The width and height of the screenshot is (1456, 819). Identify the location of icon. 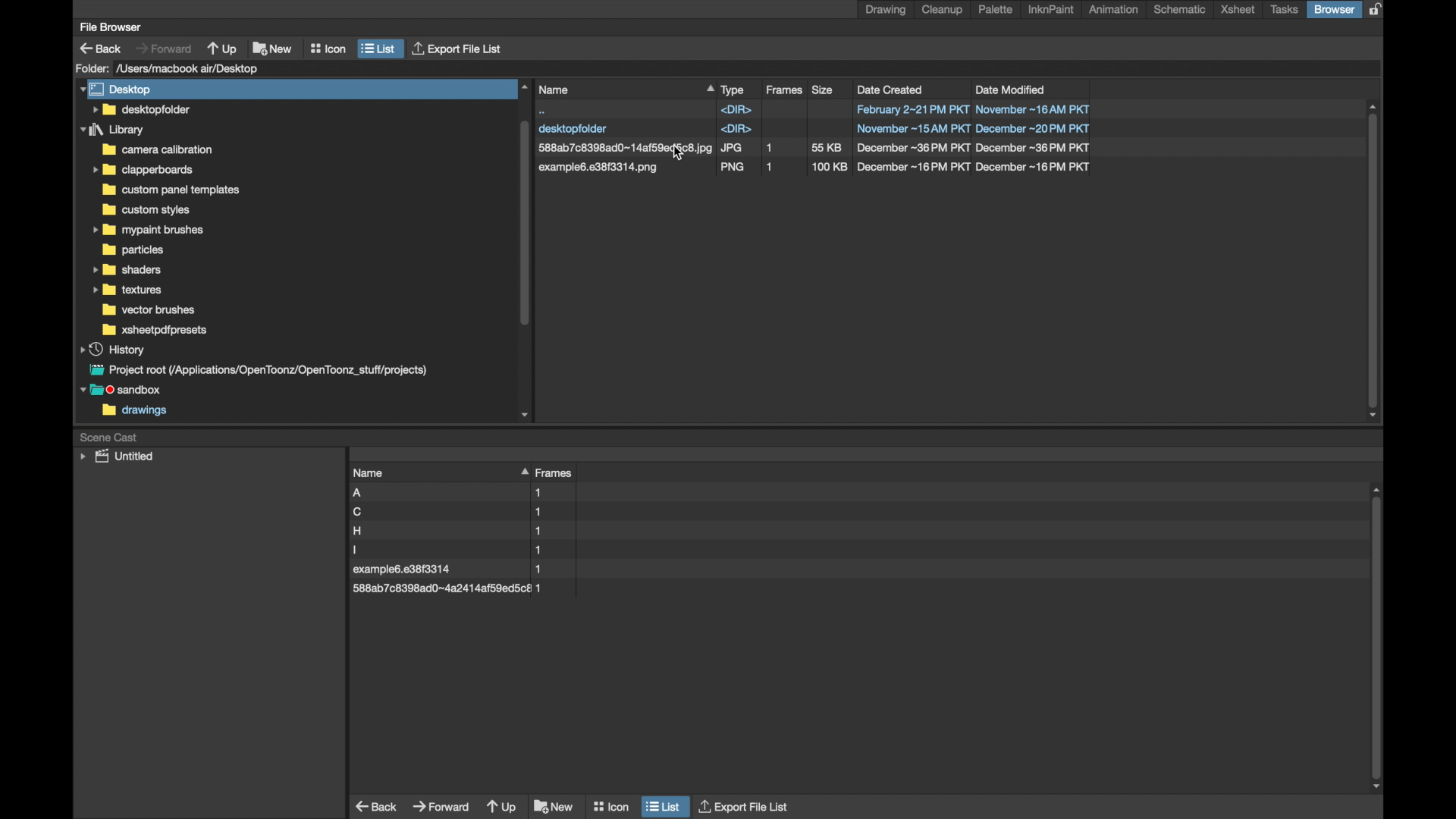
(610, 803).